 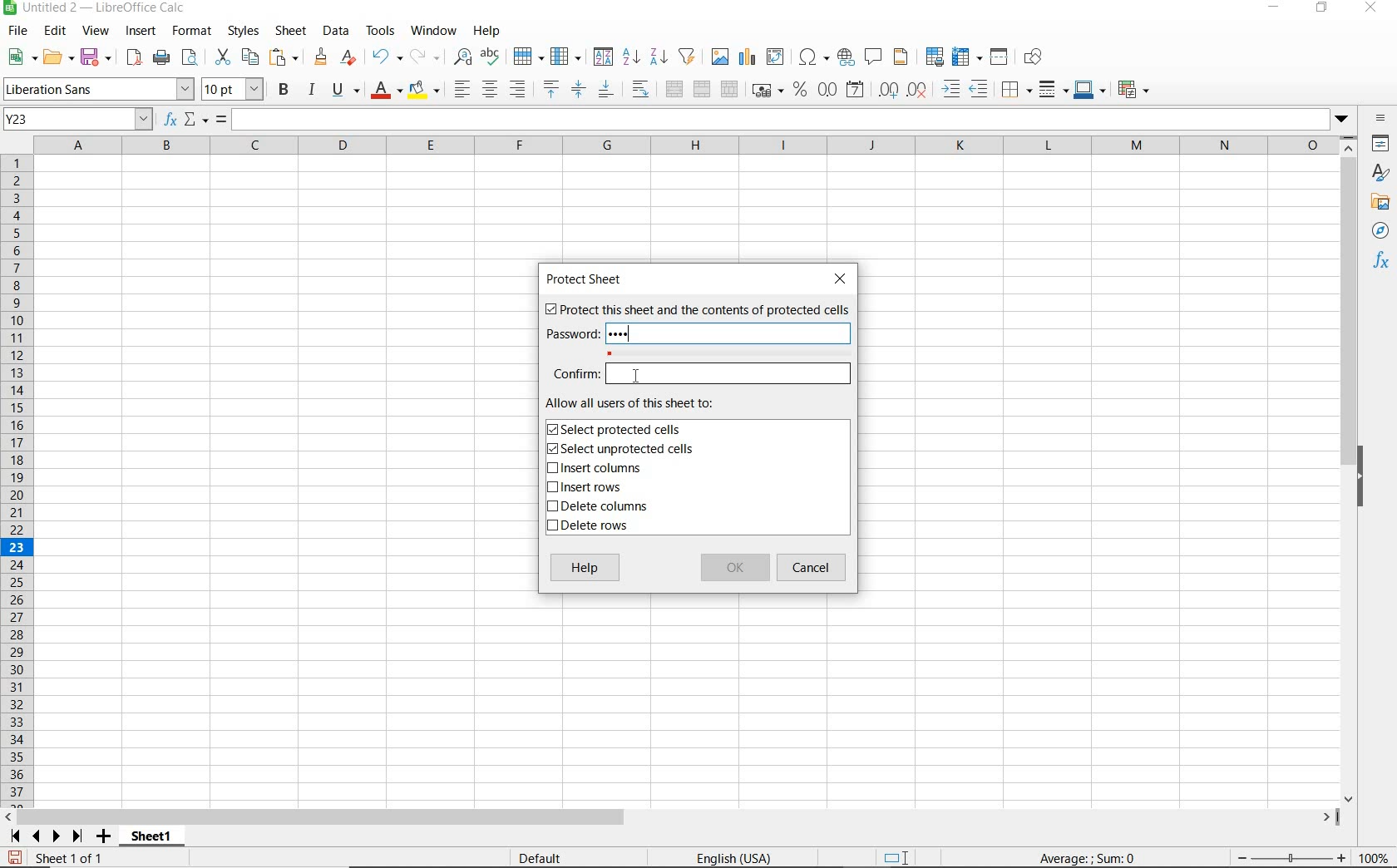 I want to click on SELECT FUNCTION, so click(x=196, y=121).